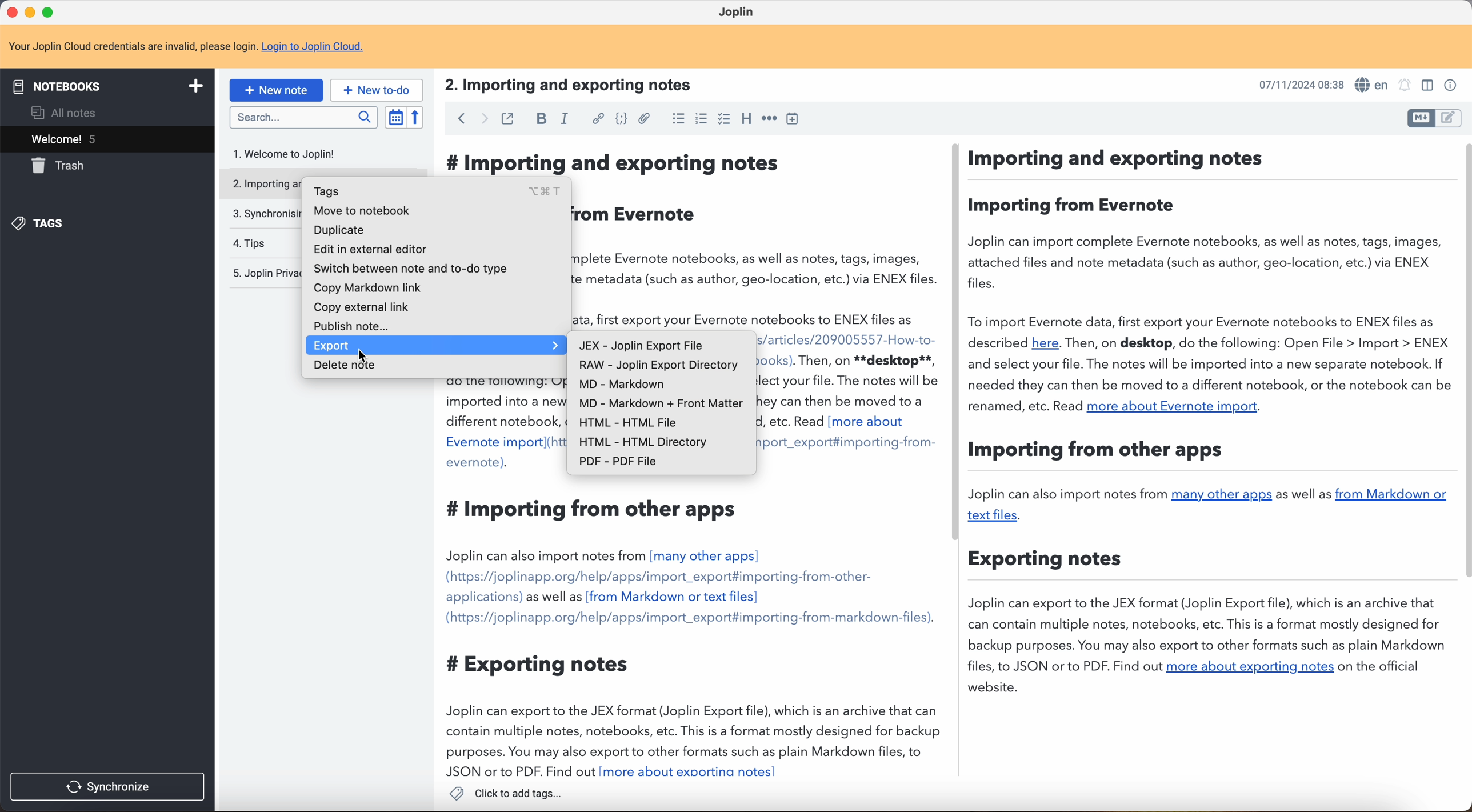  Describe the element at coordinates (276, 89) in the screenshot. I see `new note` at that location.